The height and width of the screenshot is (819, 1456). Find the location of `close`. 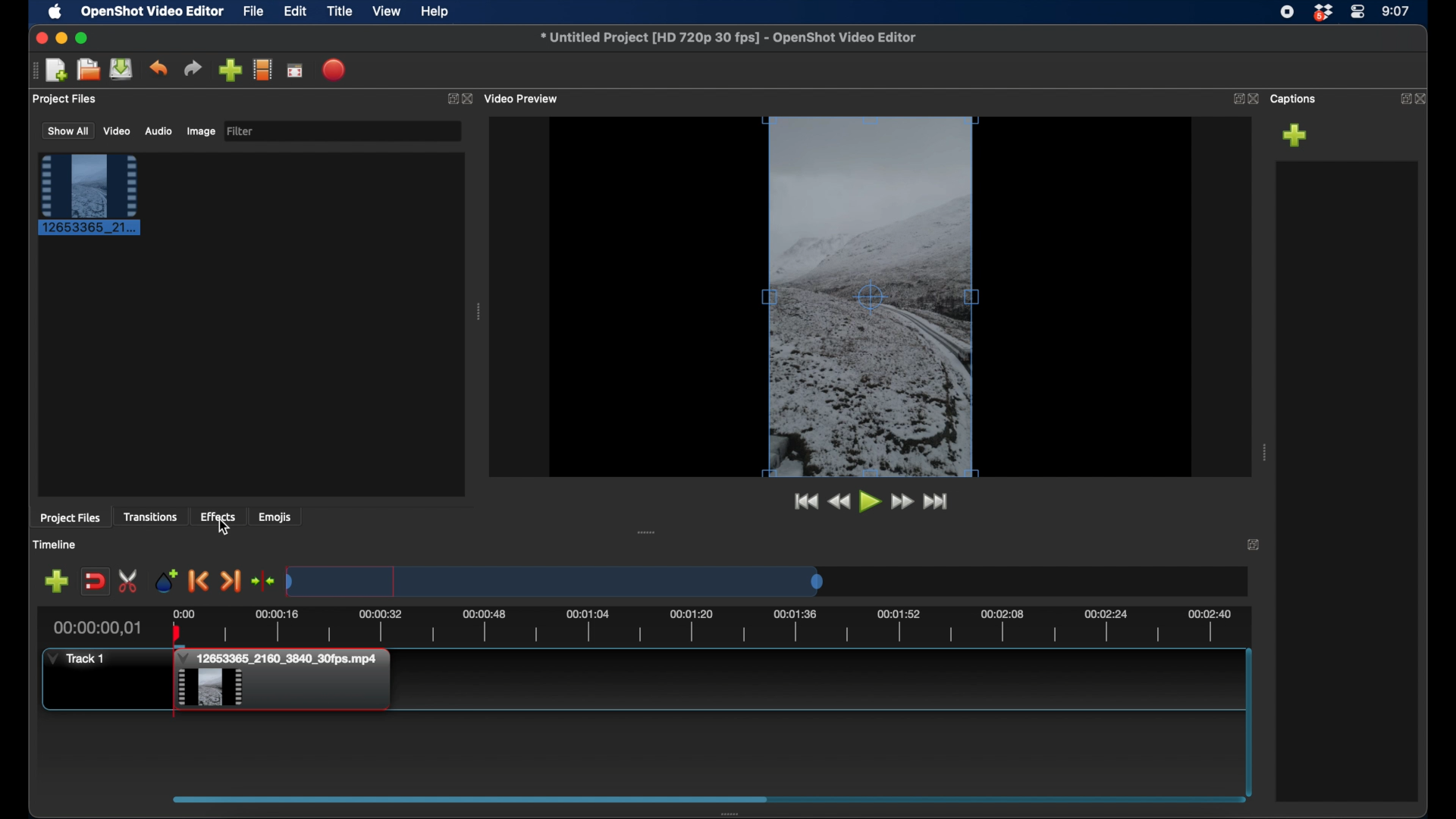

close is located at coordinates (39, 38).